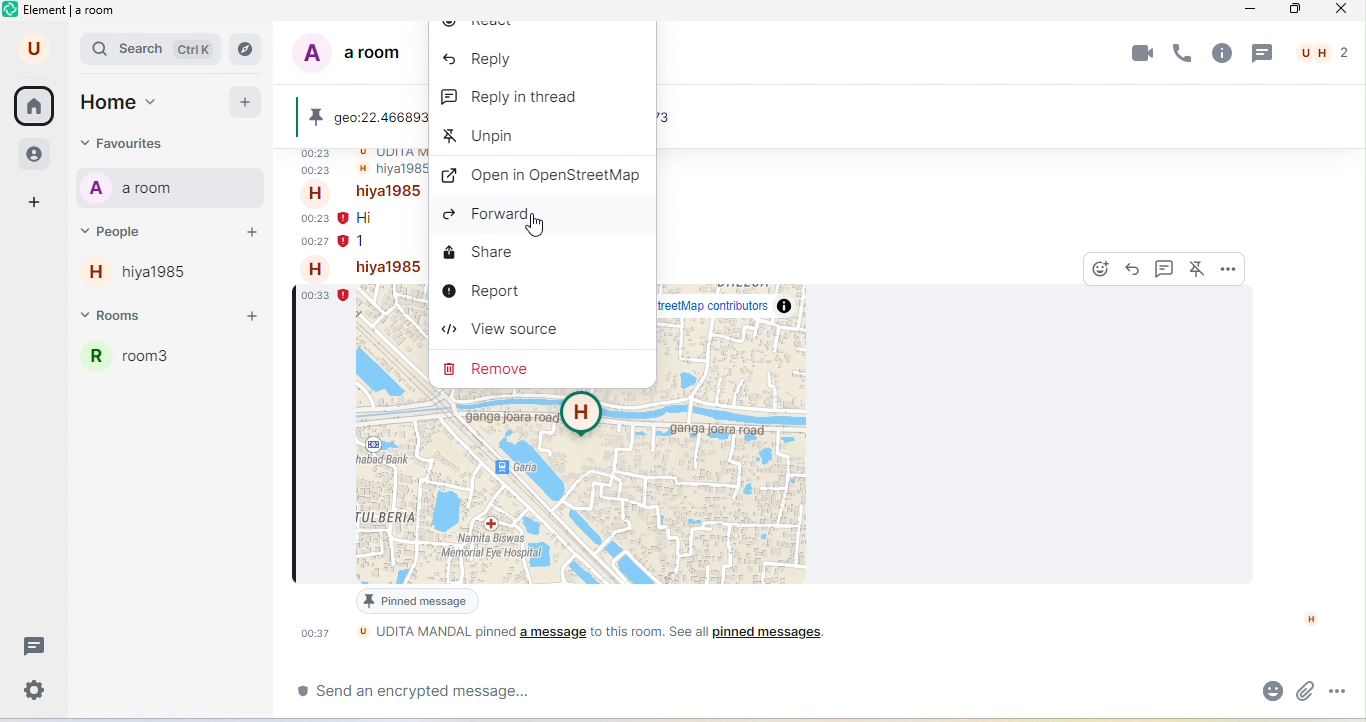 The width and height of the screenshot is (1366, 722). Describe the element at coordinates (138, 230) in the screenshot. I see `people` at that location.